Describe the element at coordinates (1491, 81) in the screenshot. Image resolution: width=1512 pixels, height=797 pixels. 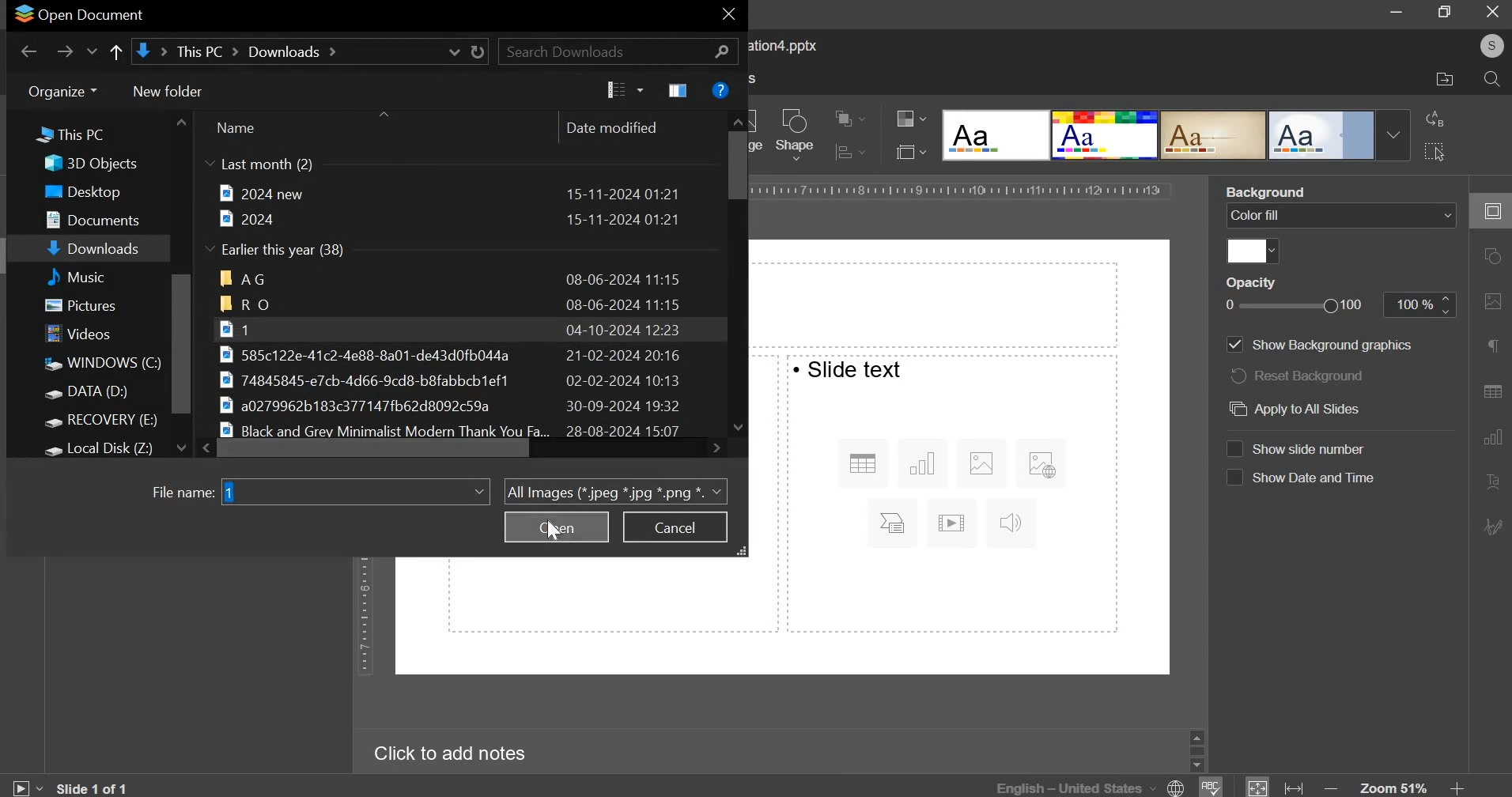
I see `search` at that location.